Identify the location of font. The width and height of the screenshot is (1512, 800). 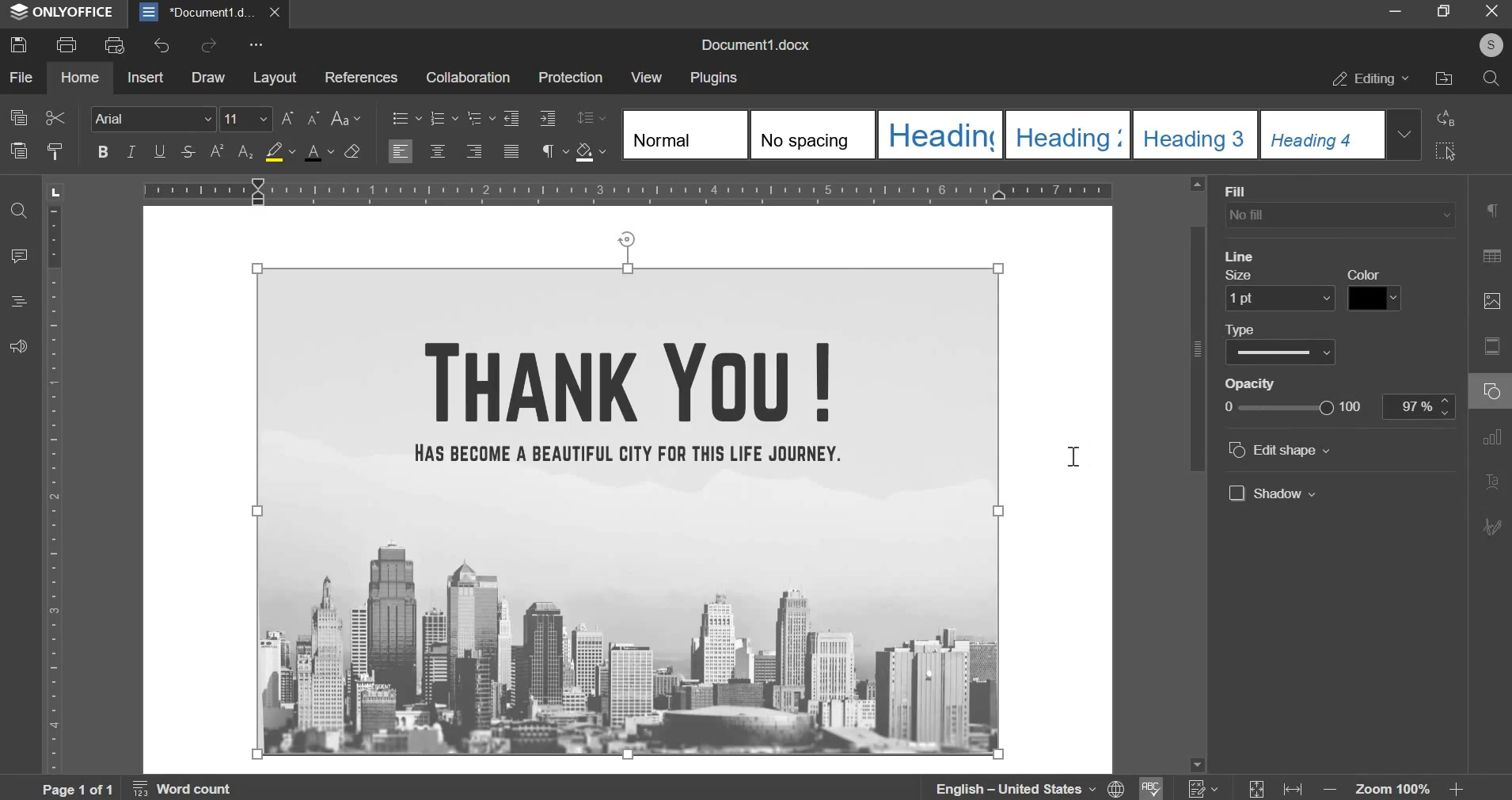
(151, 118).